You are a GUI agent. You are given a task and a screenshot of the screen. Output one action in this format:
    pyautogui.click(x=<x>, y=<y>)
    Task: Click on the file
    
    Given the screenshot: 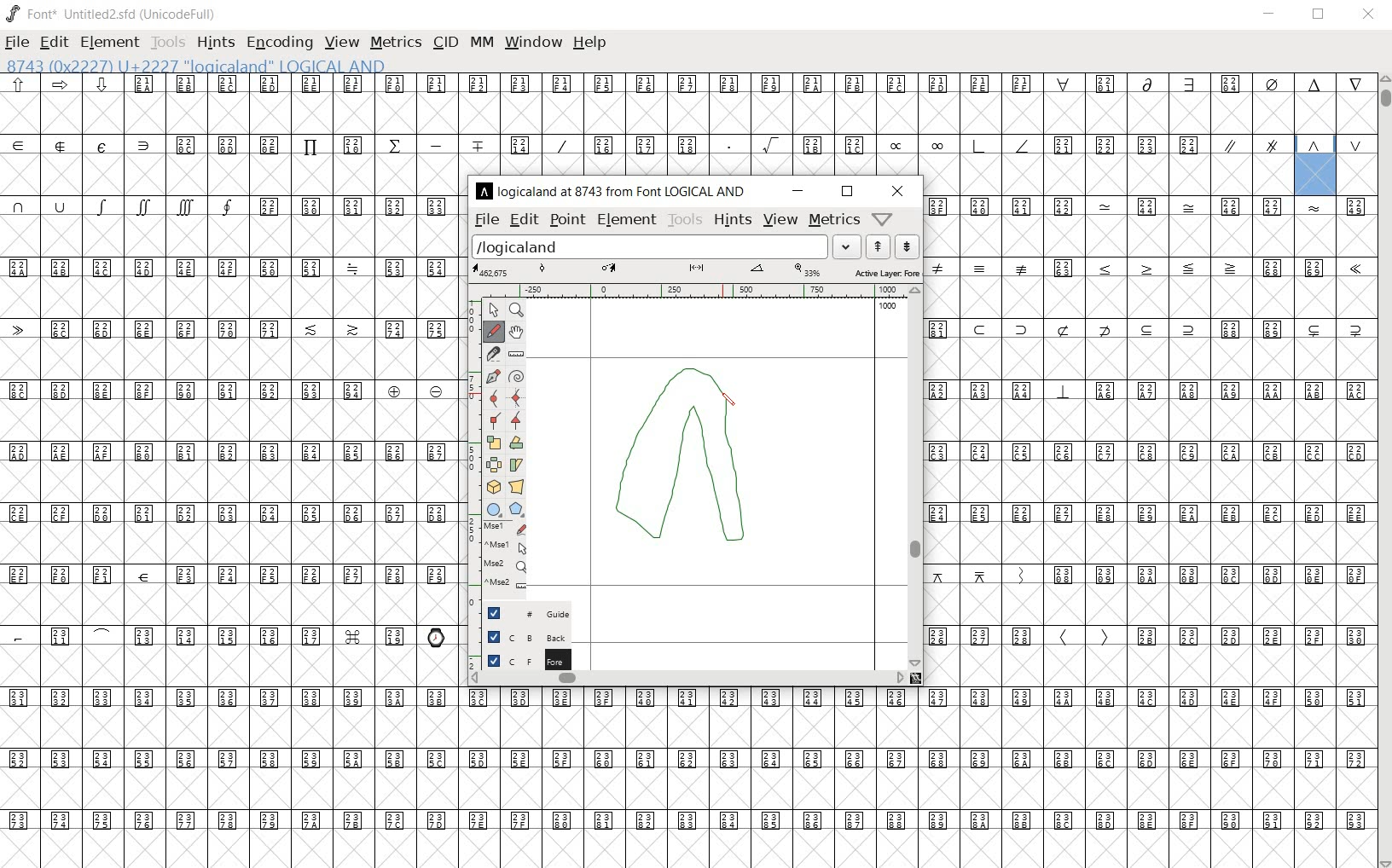 What is the action you would take?
    pyautogui.click(x=485, y=220)
    